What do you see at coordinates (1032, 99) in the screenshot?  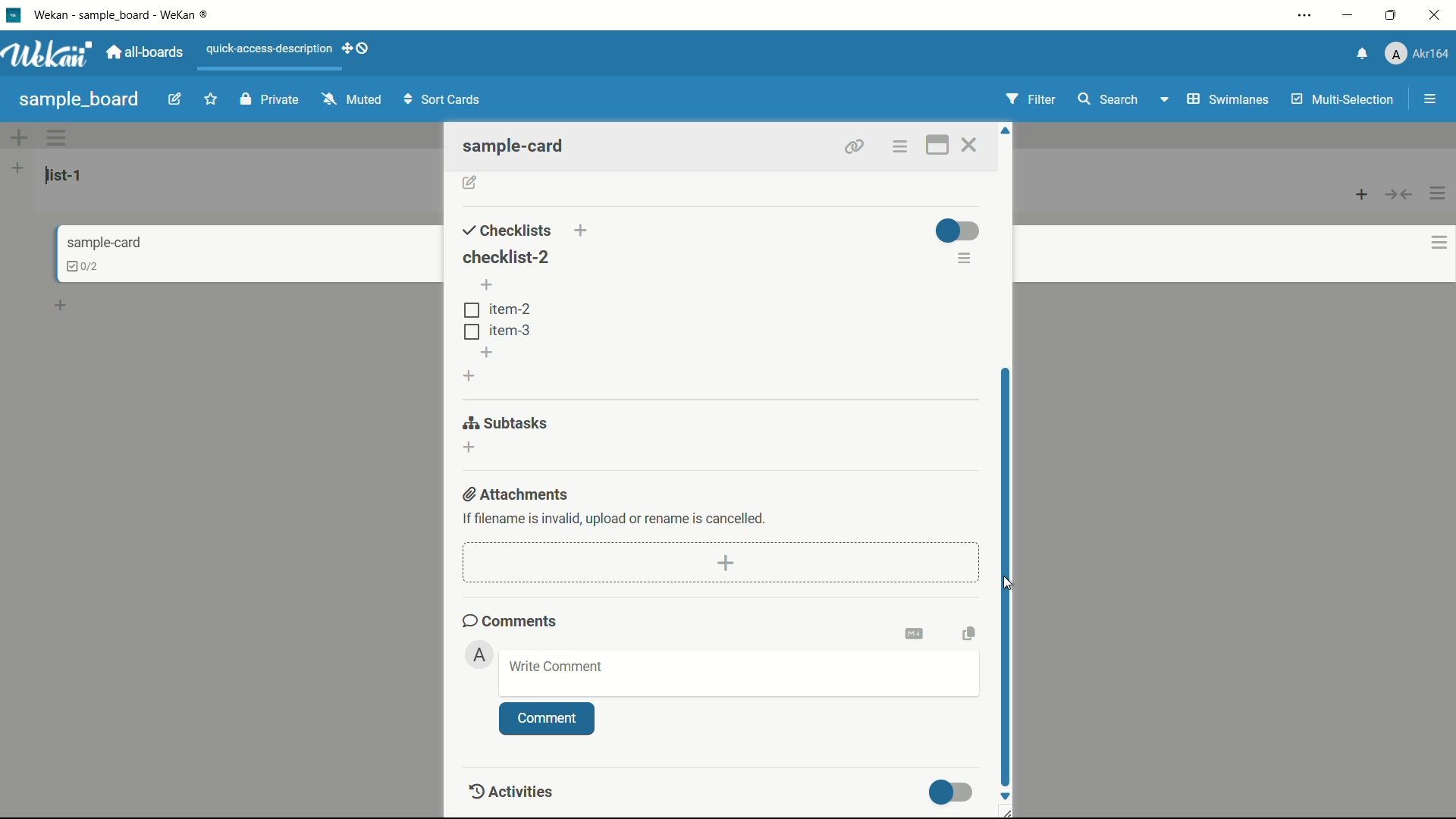 I see `filter` at bounding box center [1032, 99].